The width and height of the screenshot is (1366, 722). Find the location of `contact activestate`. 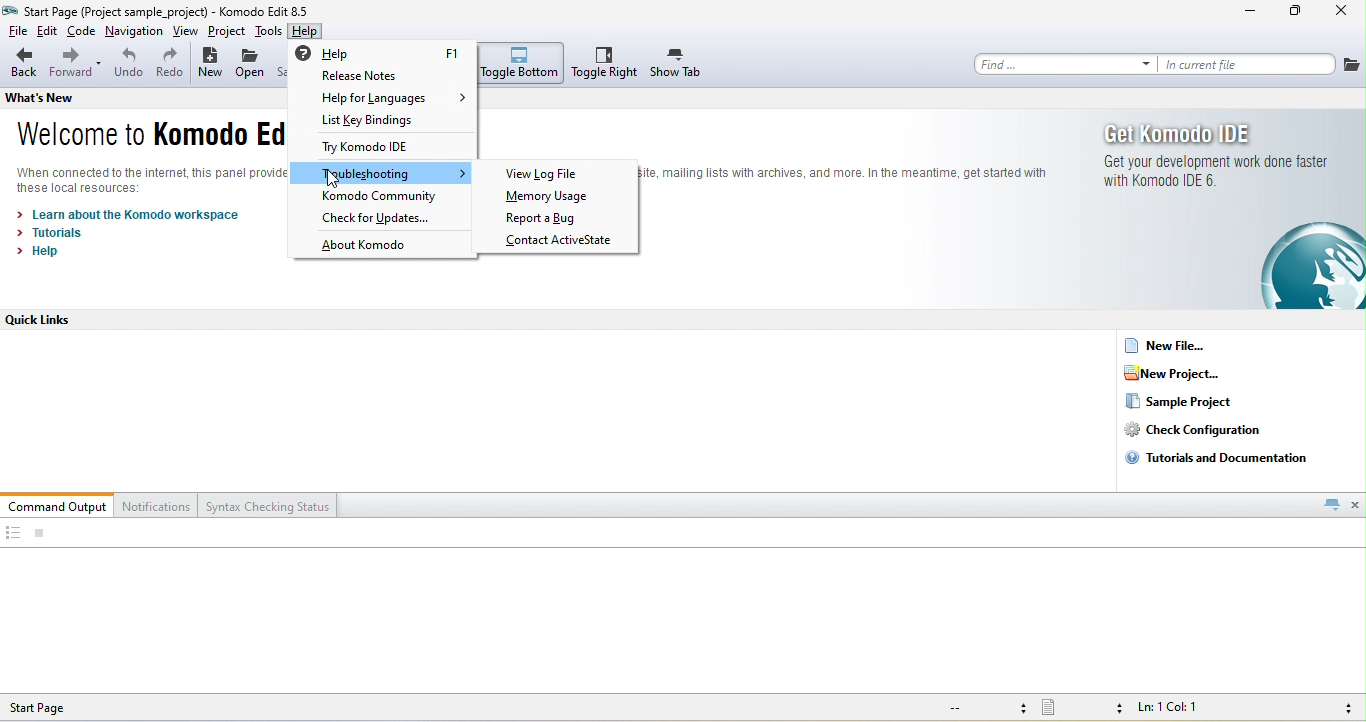

contact activestate is located at coordinates (562, 241).